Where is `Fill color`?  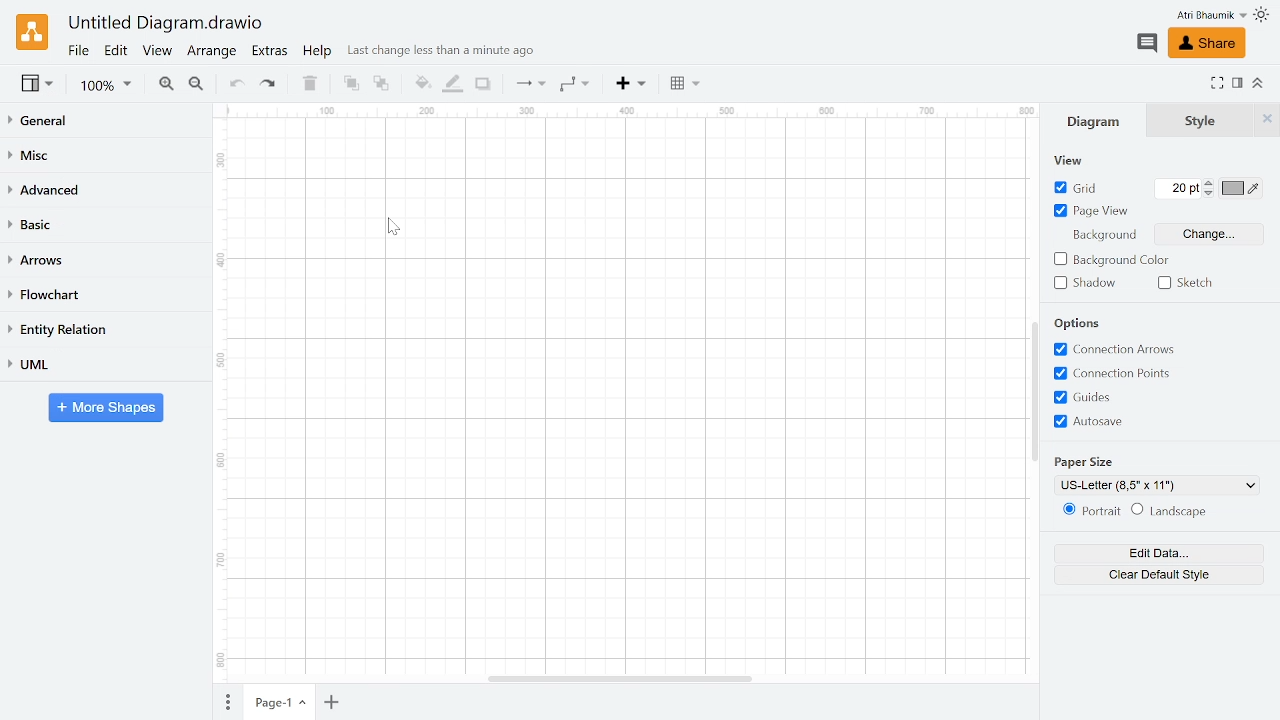
Fill color is located at coordinates (422, 83).